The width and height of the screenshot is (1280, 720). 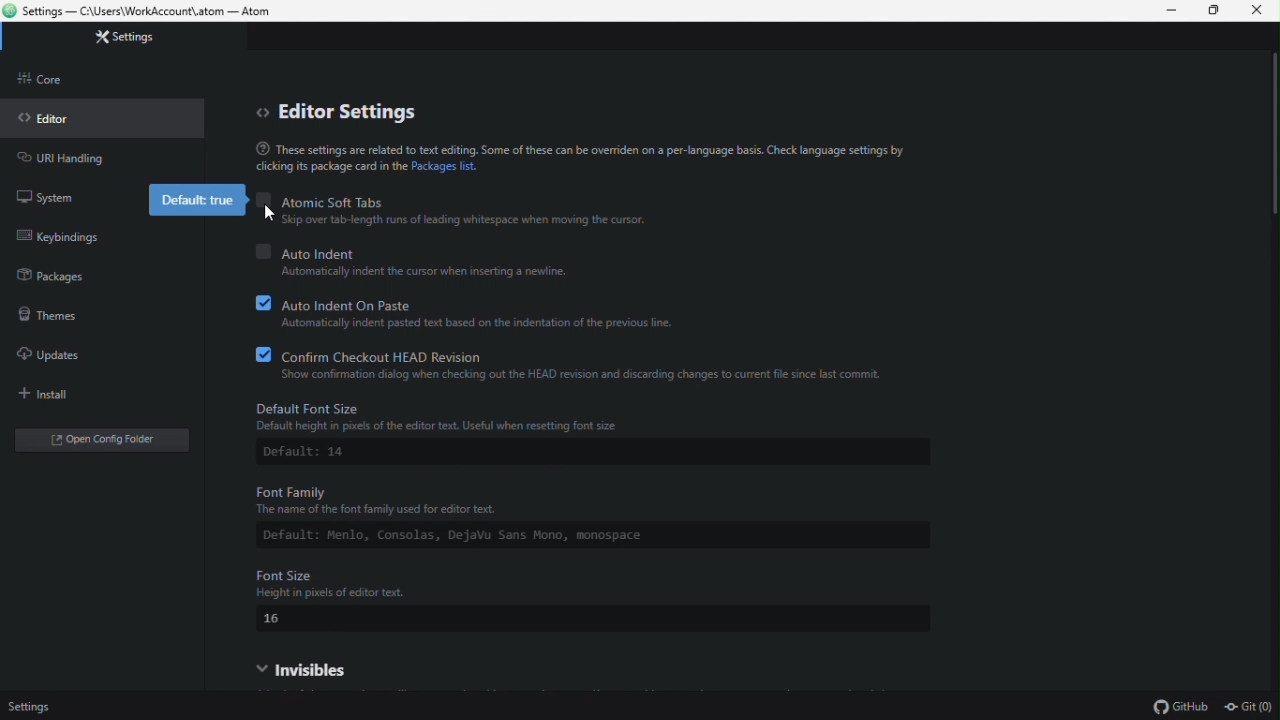 What do you see at coordinates (284, 619) in the screenshot?
I see `16` at bounding box center [284, 619].